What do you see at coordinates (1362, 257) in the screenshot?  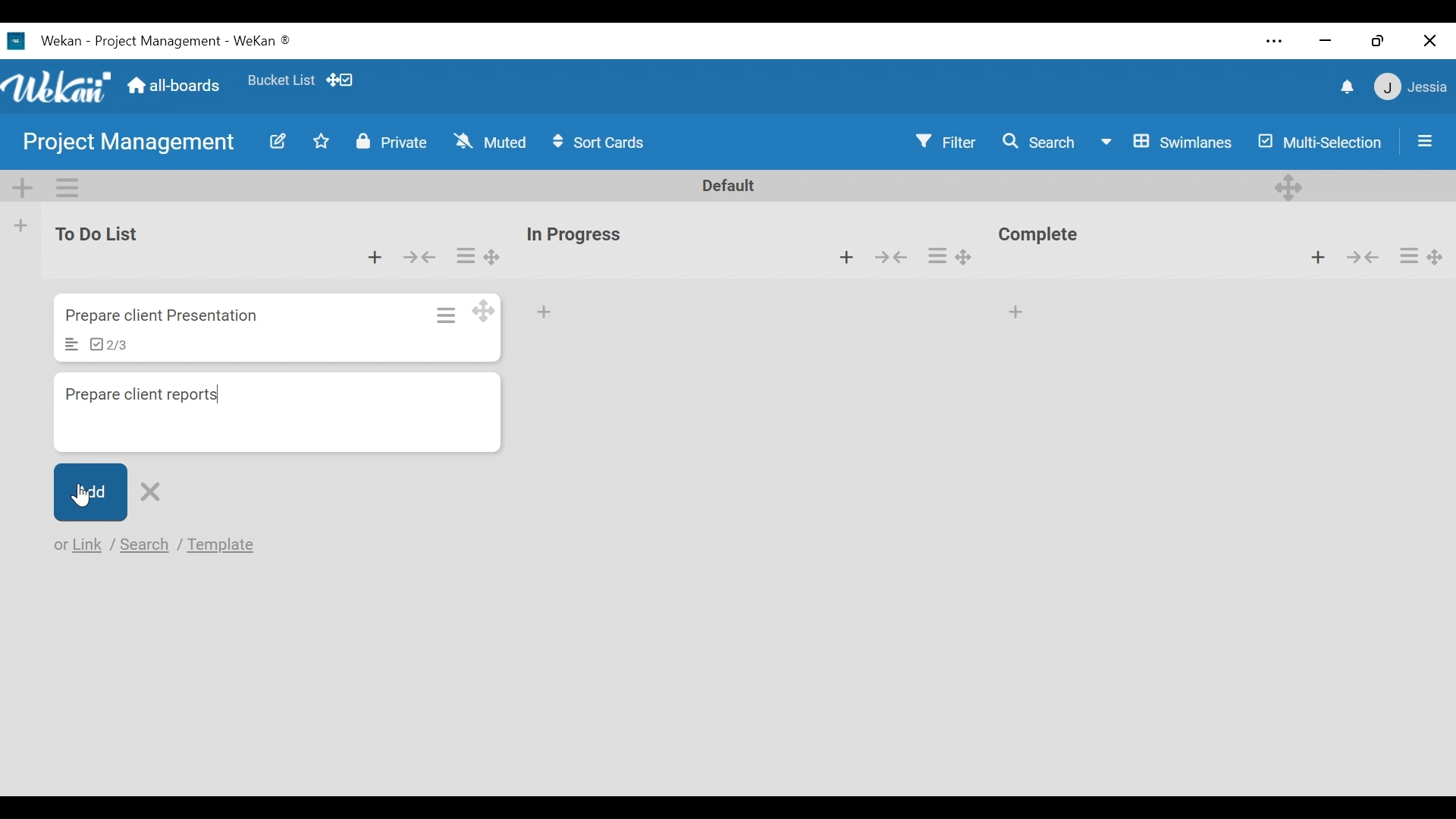 I see `Collapse ` at bounding box center [1362, 257].